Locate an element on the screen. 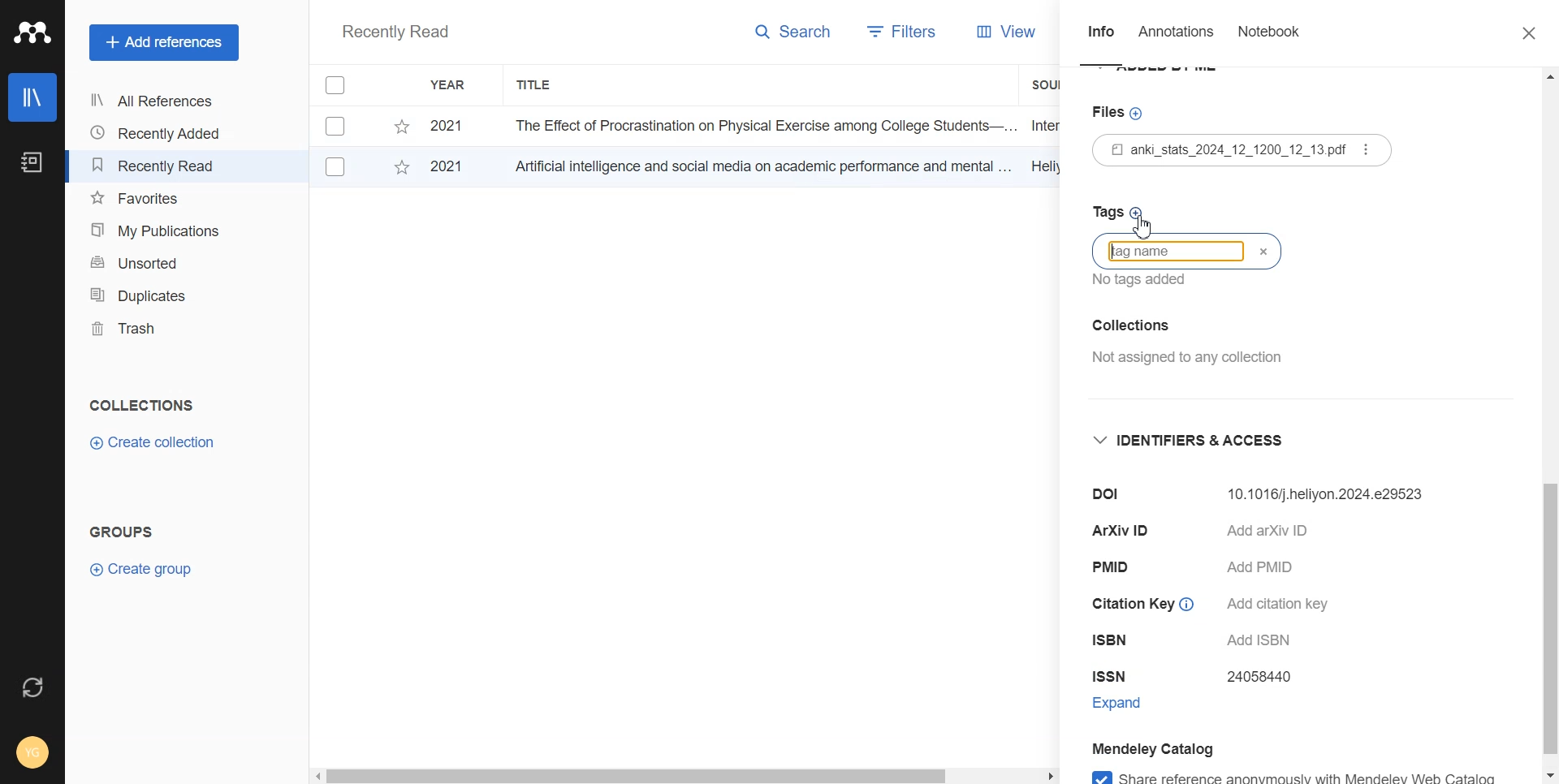 The width and height of the screenshot is (1559, 784). Library is located at coordinates (33, 97).